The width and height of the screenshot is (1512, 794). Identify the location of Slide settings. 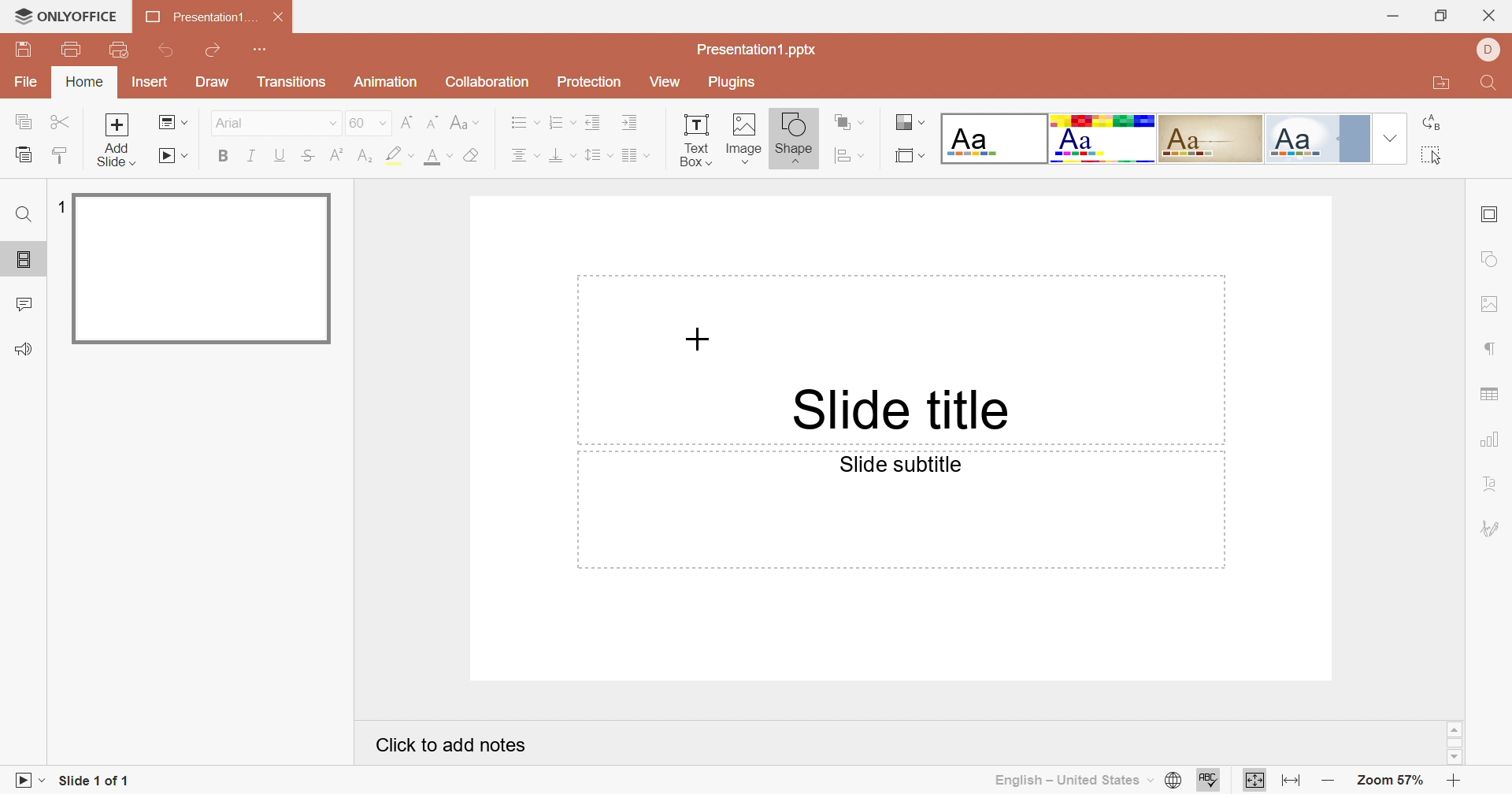
(1488, 216).